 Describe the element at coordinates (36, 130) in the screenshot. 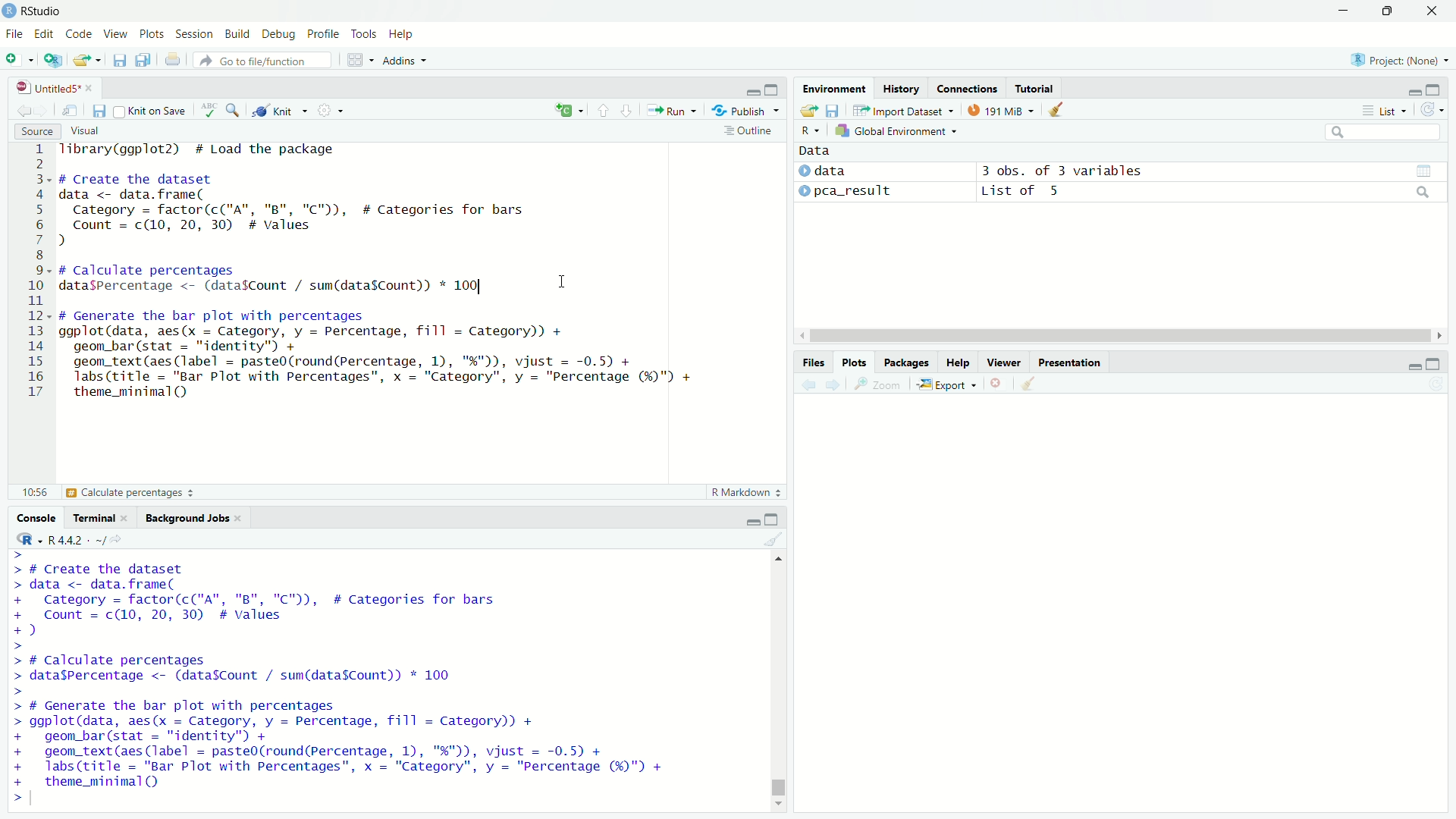

I see `source` at that location.